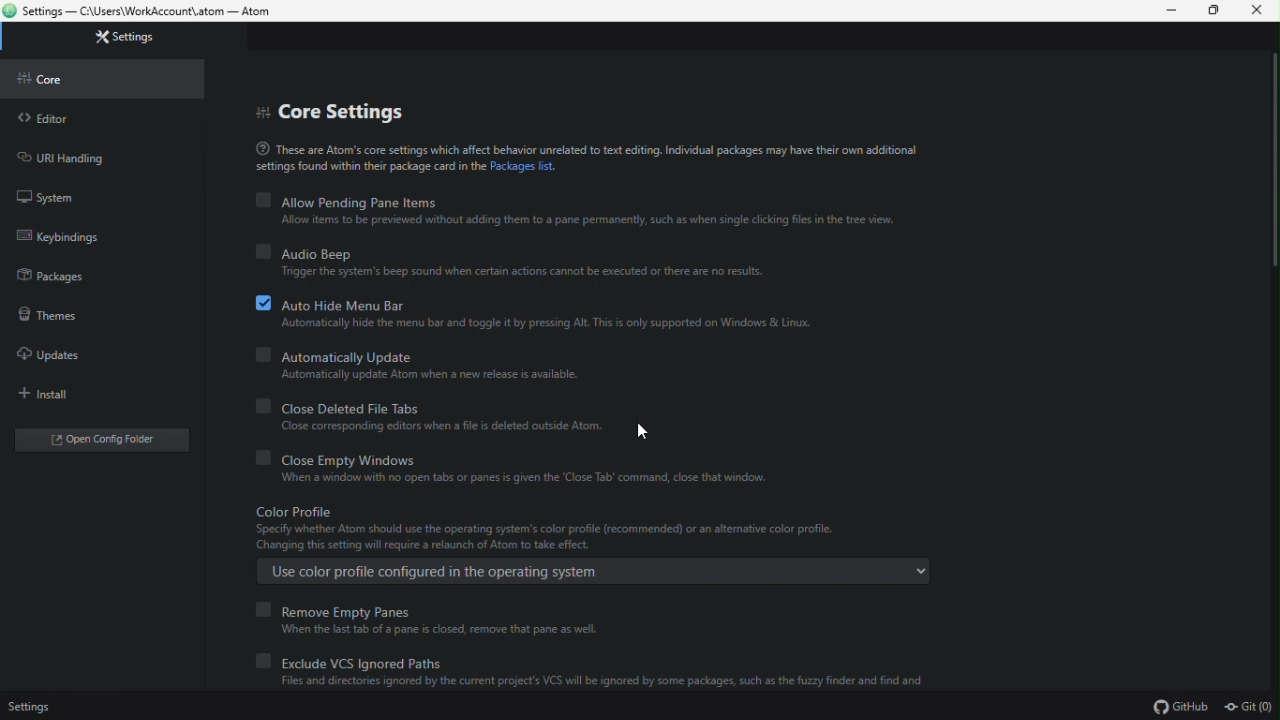 This screenshot has width=1280, height=720. Describe the element at coordinates (587, 220) in the screenshot. I see `Allow items to be previewed without adding them to a pane permanently, such as when single clicking files in the tree view.` at that location.